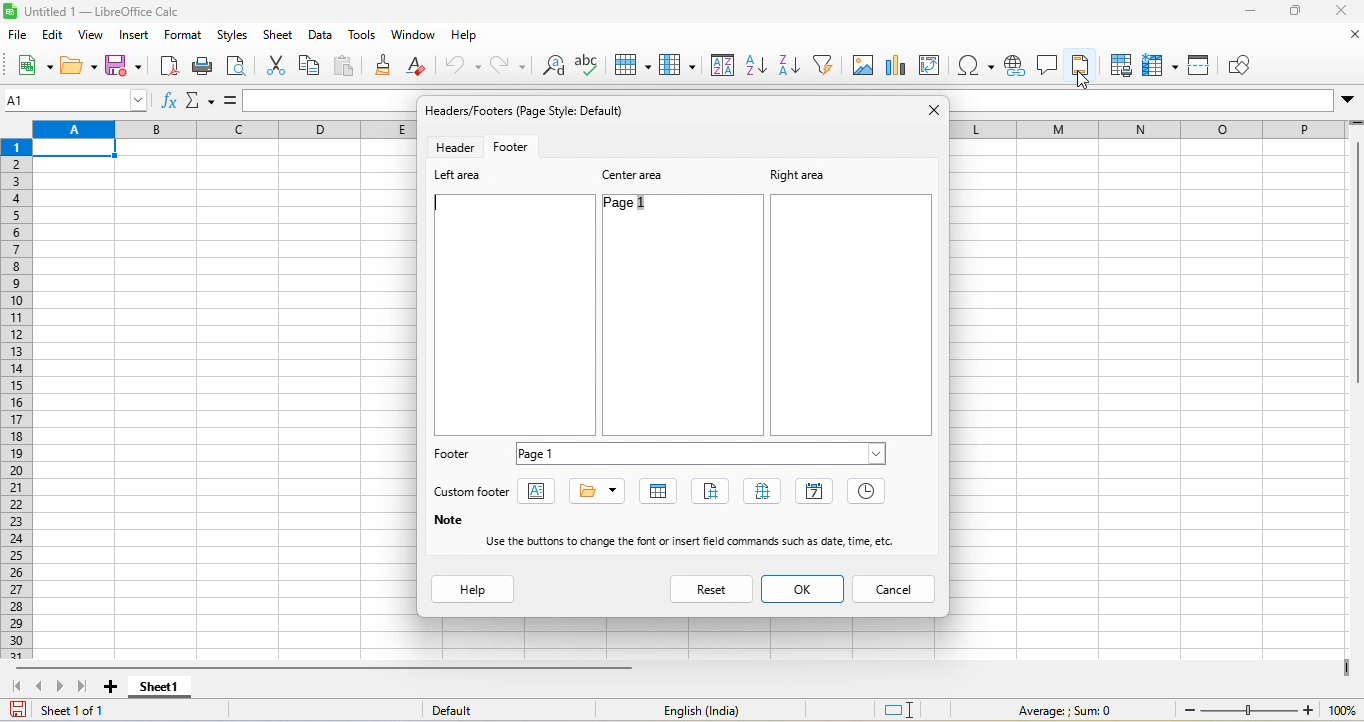 This screenshot has height=722, width=1364. I want to click on print preview, so click(243, 65).